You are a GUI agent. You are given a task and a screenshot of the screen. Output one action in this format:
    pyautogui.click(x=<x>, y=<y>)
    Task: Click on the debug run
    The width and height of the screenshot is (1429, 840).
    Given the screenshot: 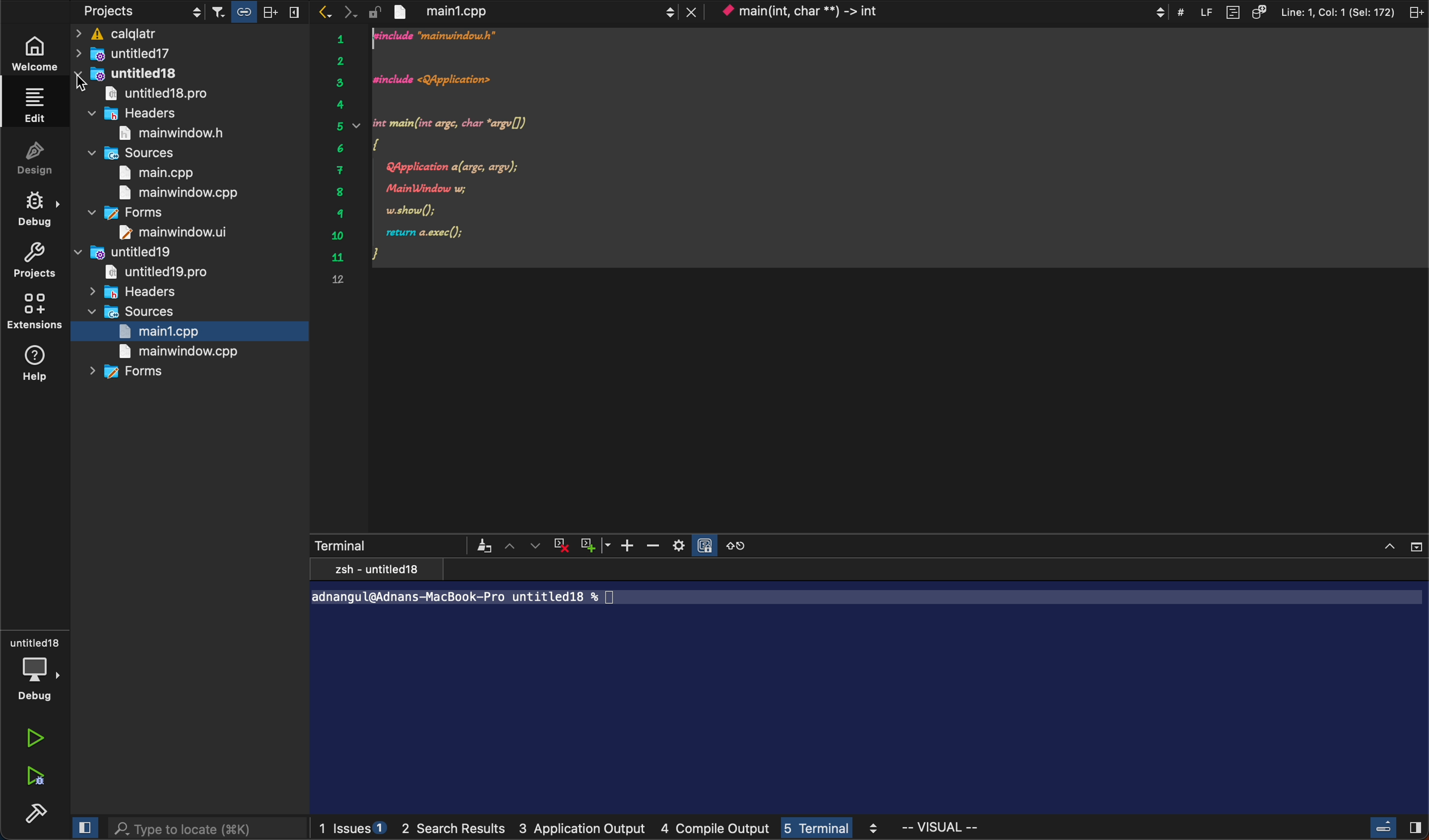 What is the action you would take?
    pyautogui.click(x=32, y=778)
    